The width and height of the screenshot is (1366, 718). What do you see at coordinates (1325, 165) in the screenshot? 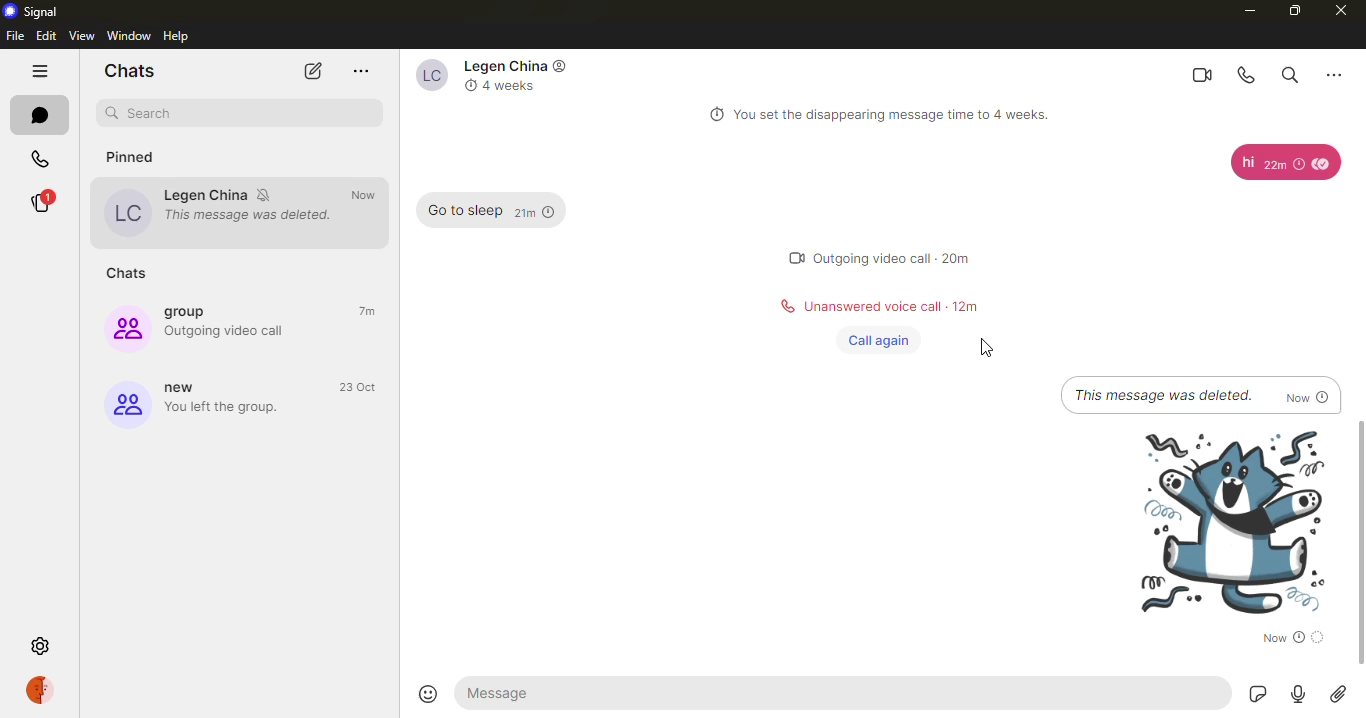
I see `read` at bounding box center [1325, 165].